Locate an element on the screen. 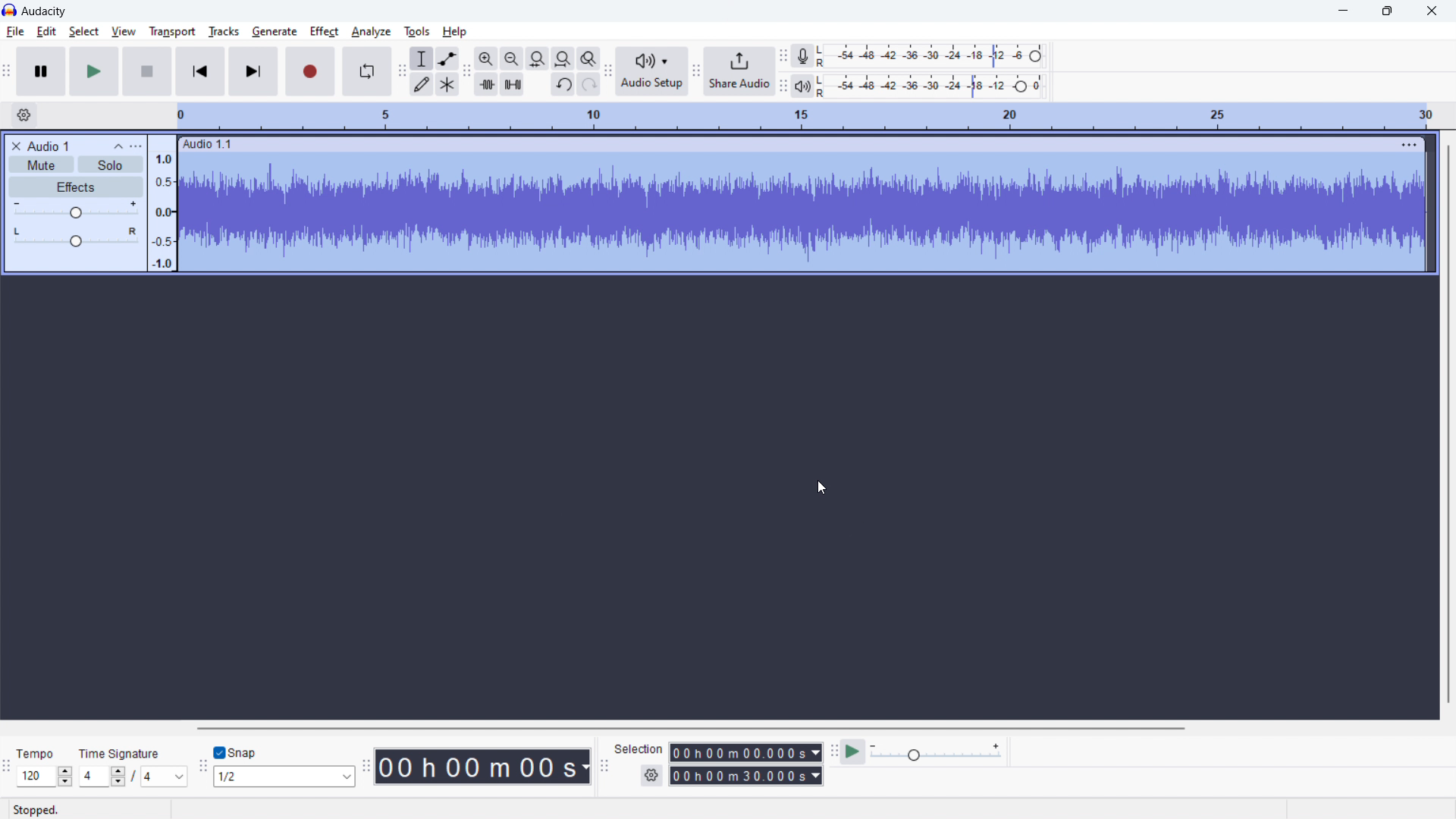  timeline is located at coordinates (808, 117).